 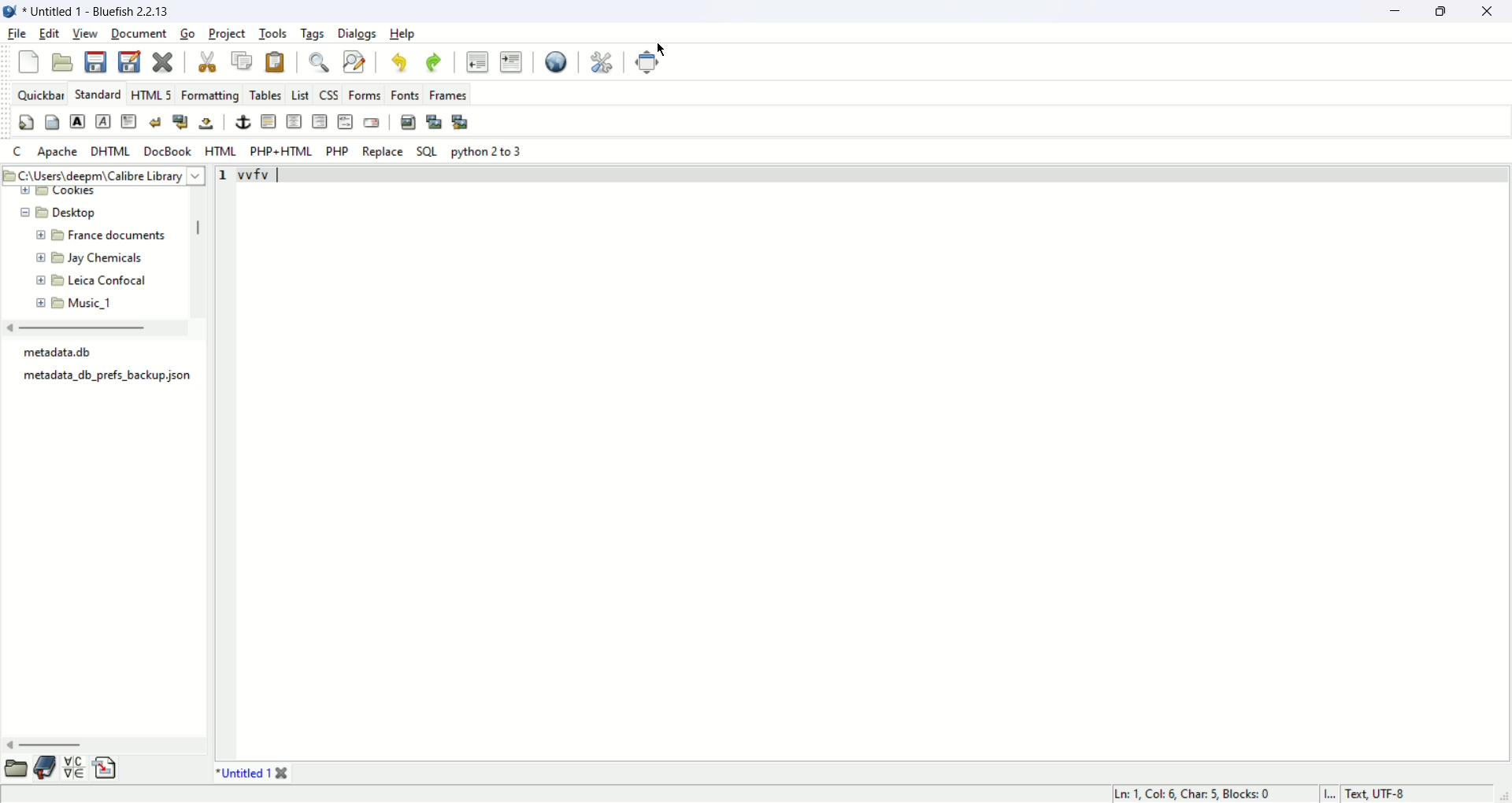 I want to click on save, so click(x=94, y=61).